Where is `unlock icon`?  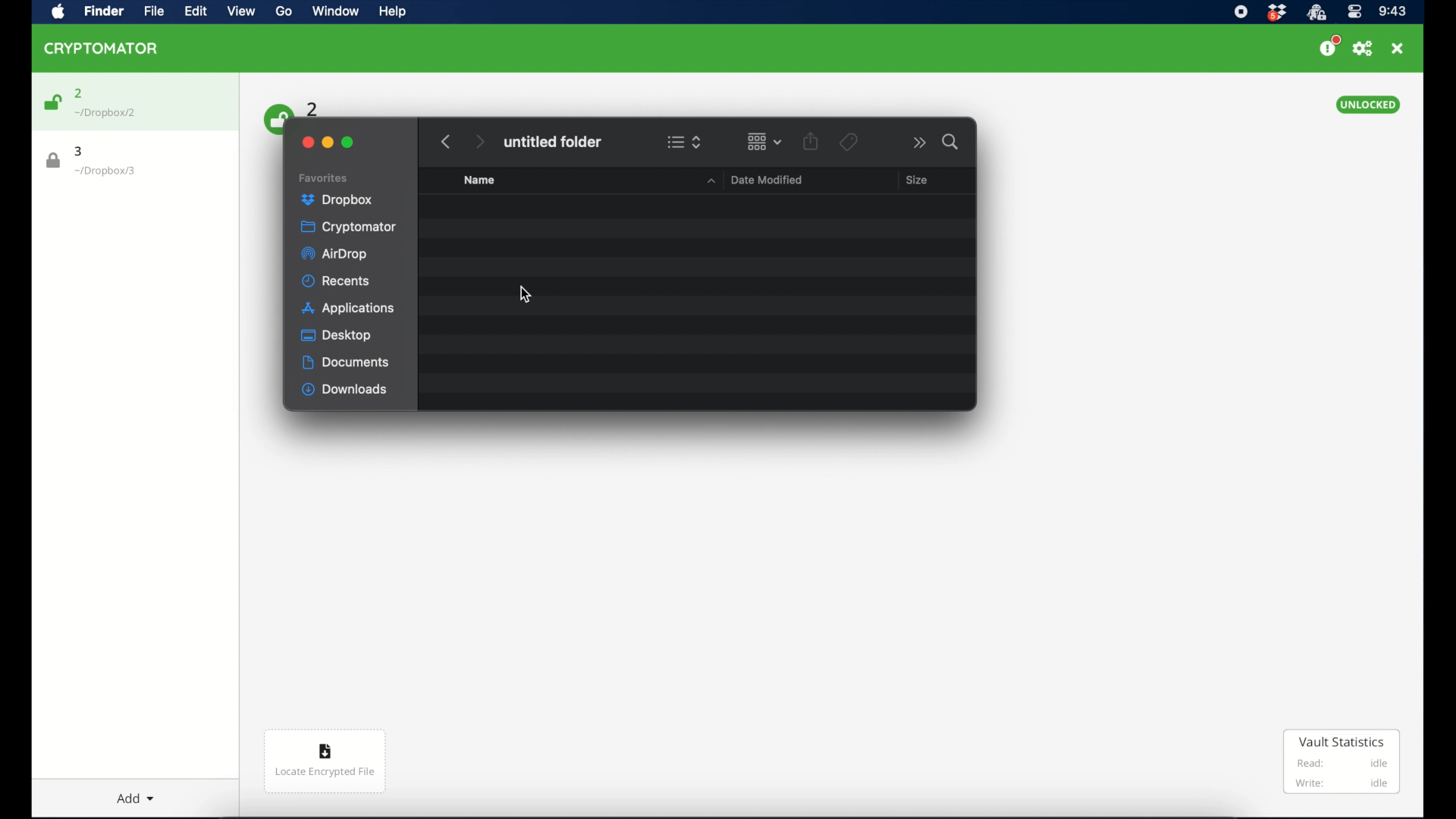 unlock icon is located at coordinates (275, 118).